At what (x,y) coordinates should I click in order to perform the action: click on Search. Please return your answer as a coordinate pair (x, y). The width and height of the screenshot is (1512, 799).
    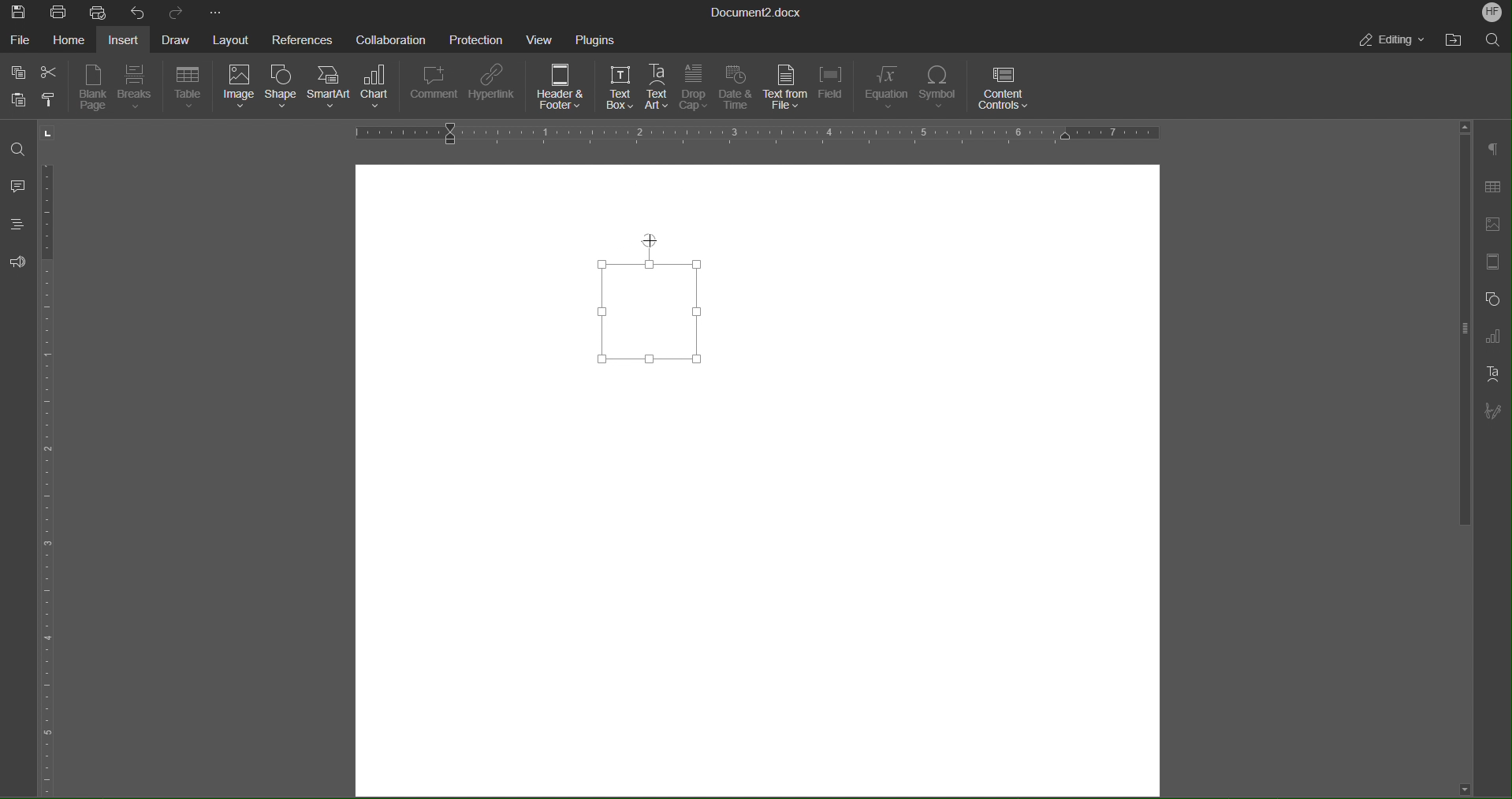
    Looking at the image, I should click on (1493, 39).